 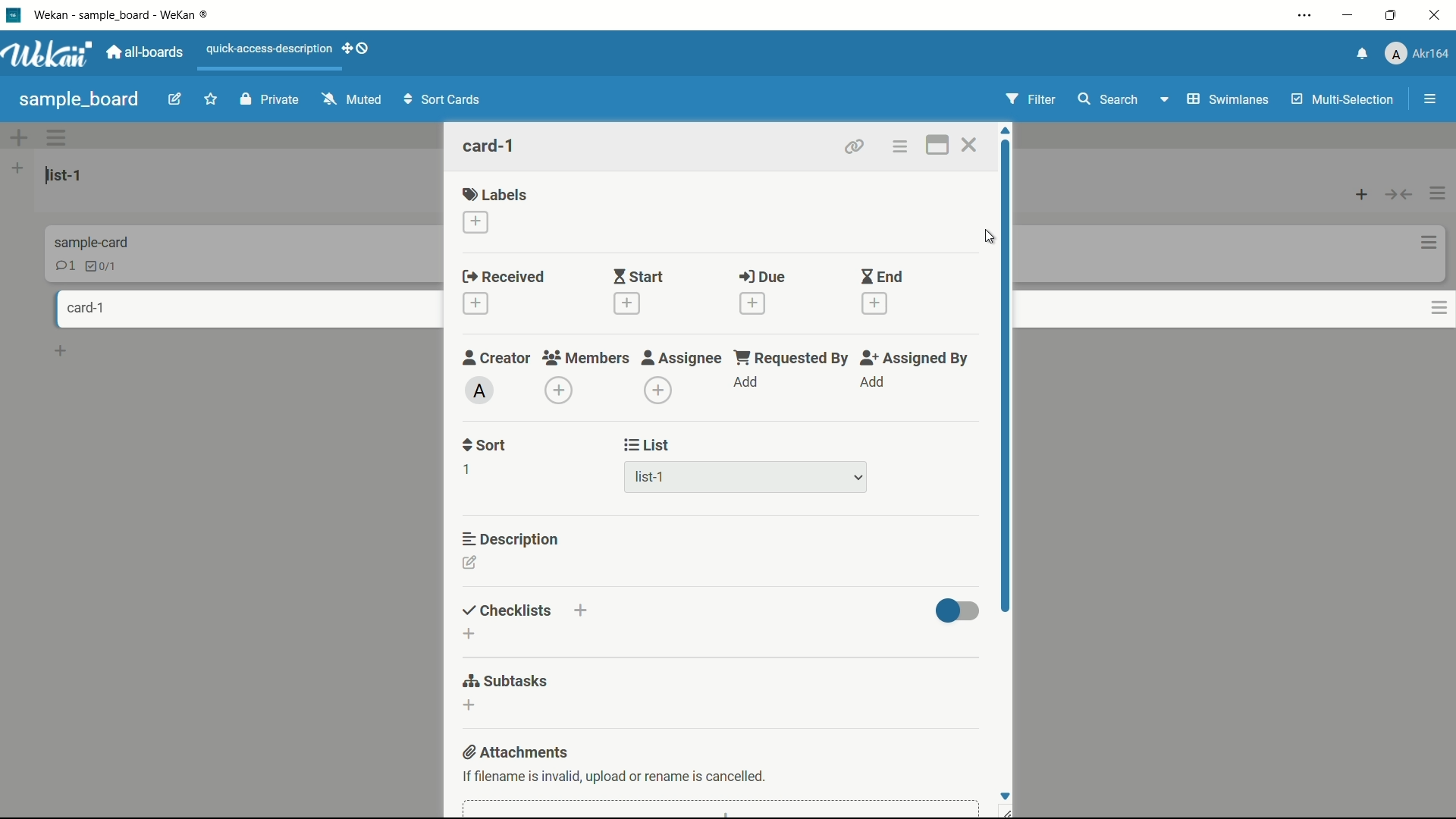 I want to click on dropdown, so click(x=858, y=480).